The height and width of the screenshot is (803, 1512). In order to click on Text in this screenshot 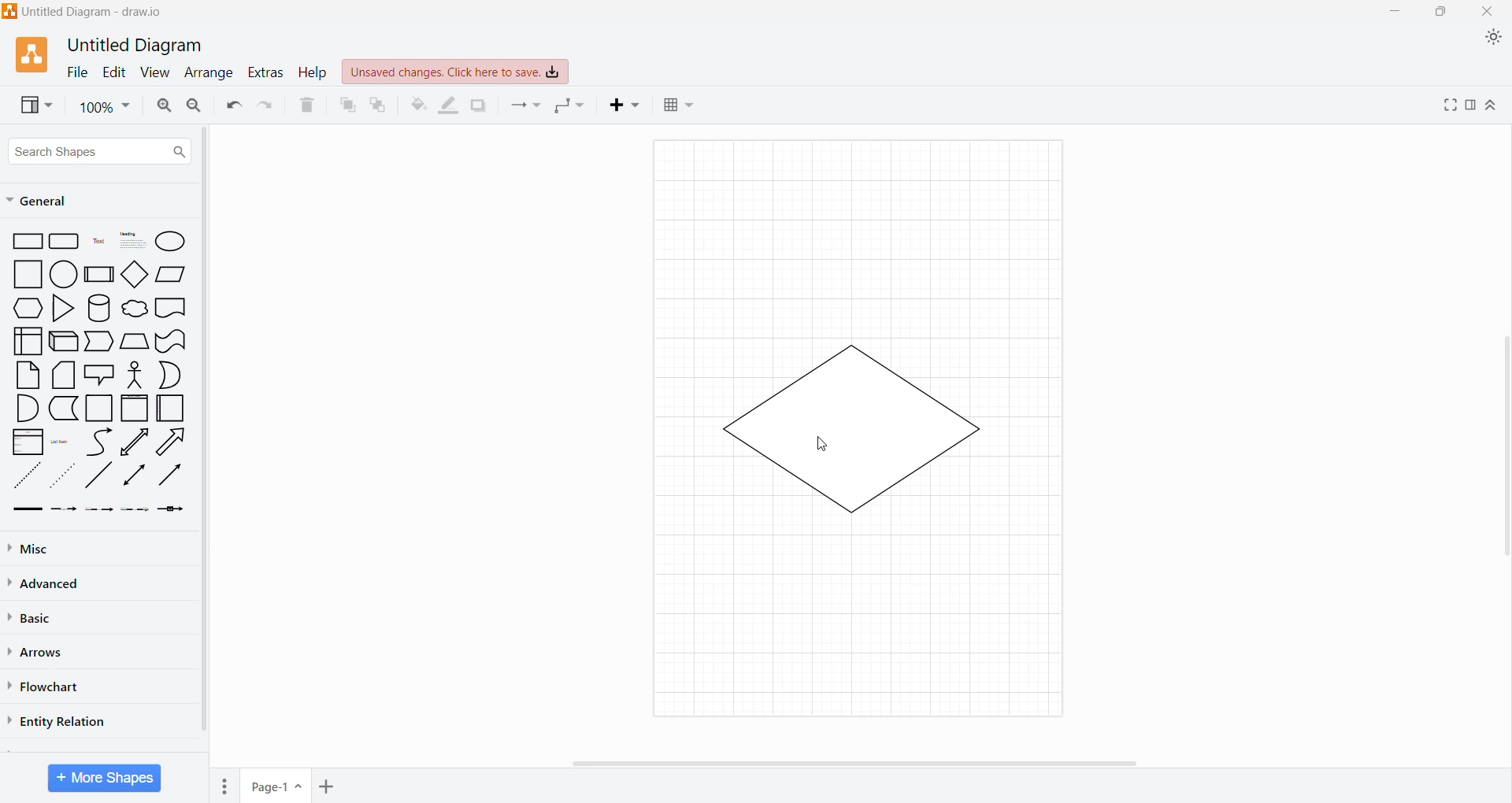, I will do `click(98, 242)`.